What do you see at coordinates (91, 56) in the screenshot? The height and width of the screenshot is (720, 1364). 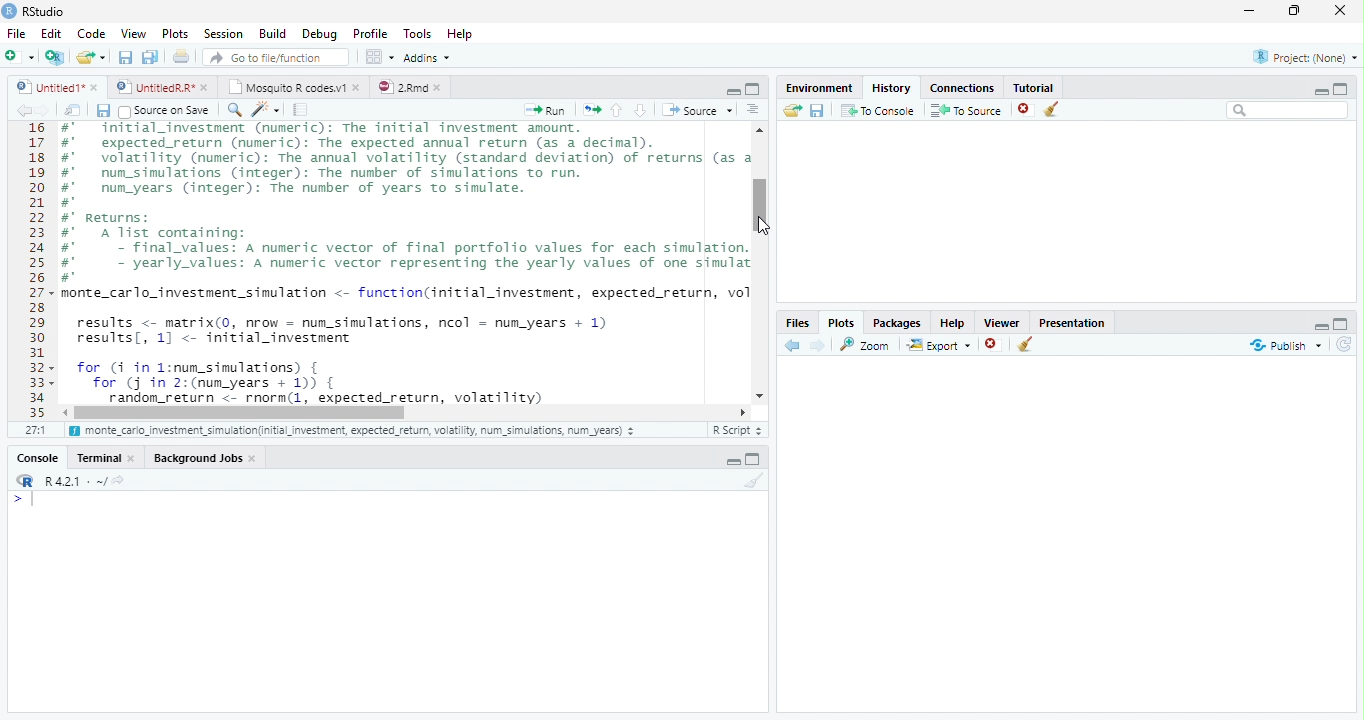 I see `Open an existing file` at bounding box center [91, 56].